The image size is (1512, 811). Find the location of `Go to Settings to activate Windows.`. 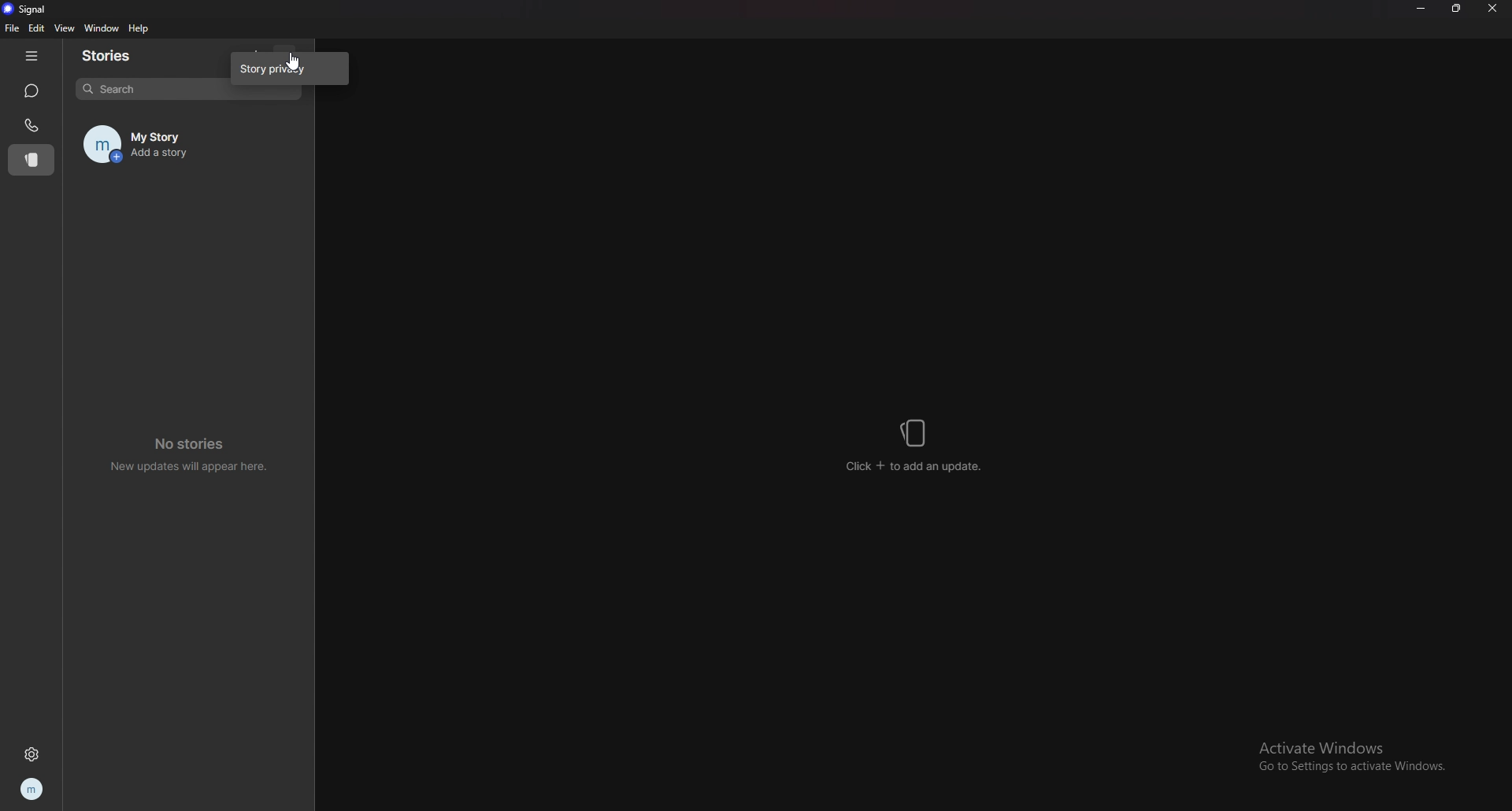

Go to Settings to activate Windows. is located at coordinates (1358, 768).